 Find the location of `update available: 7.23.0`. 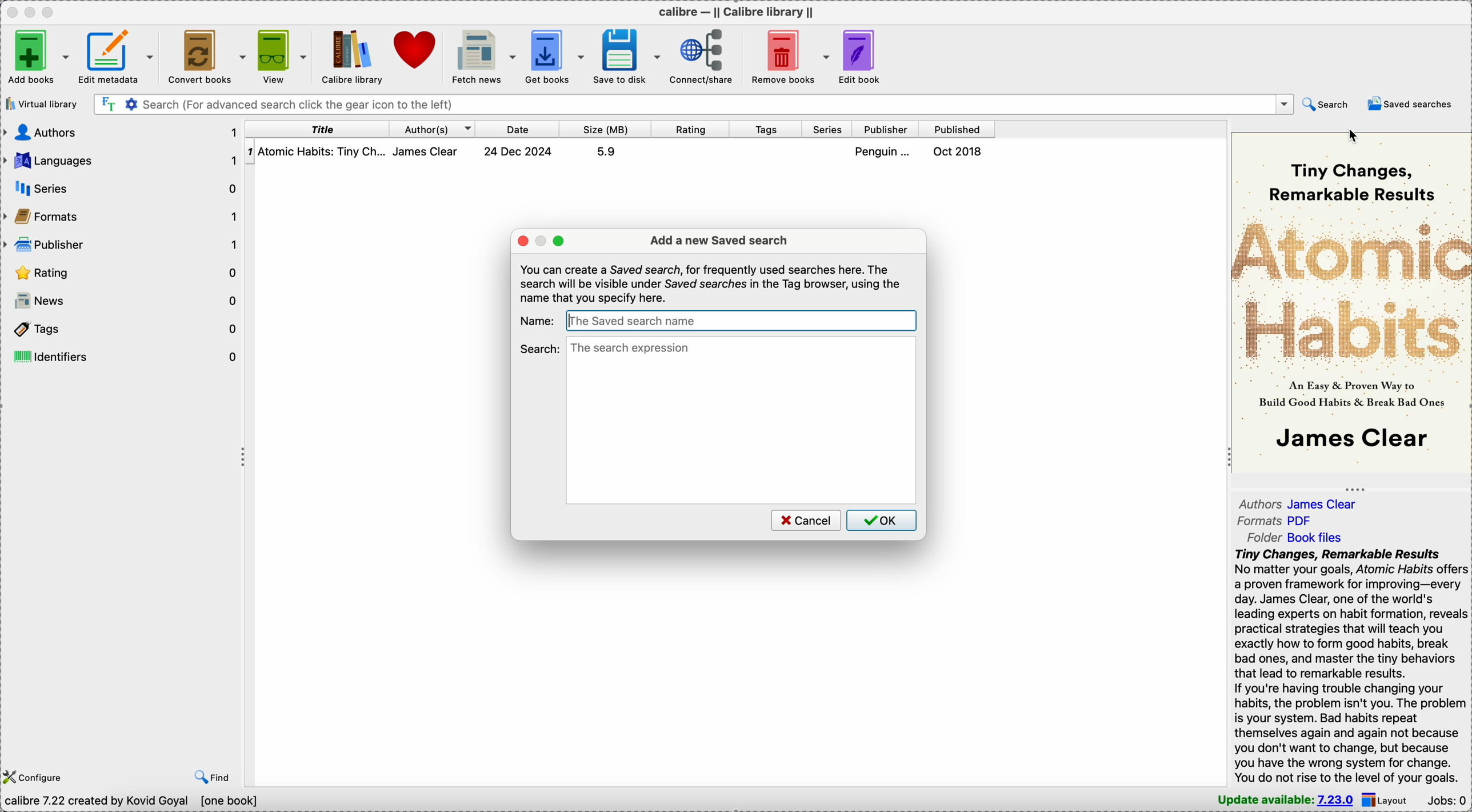

update available: 7.23.0 is located at coordinates (1281, 799).